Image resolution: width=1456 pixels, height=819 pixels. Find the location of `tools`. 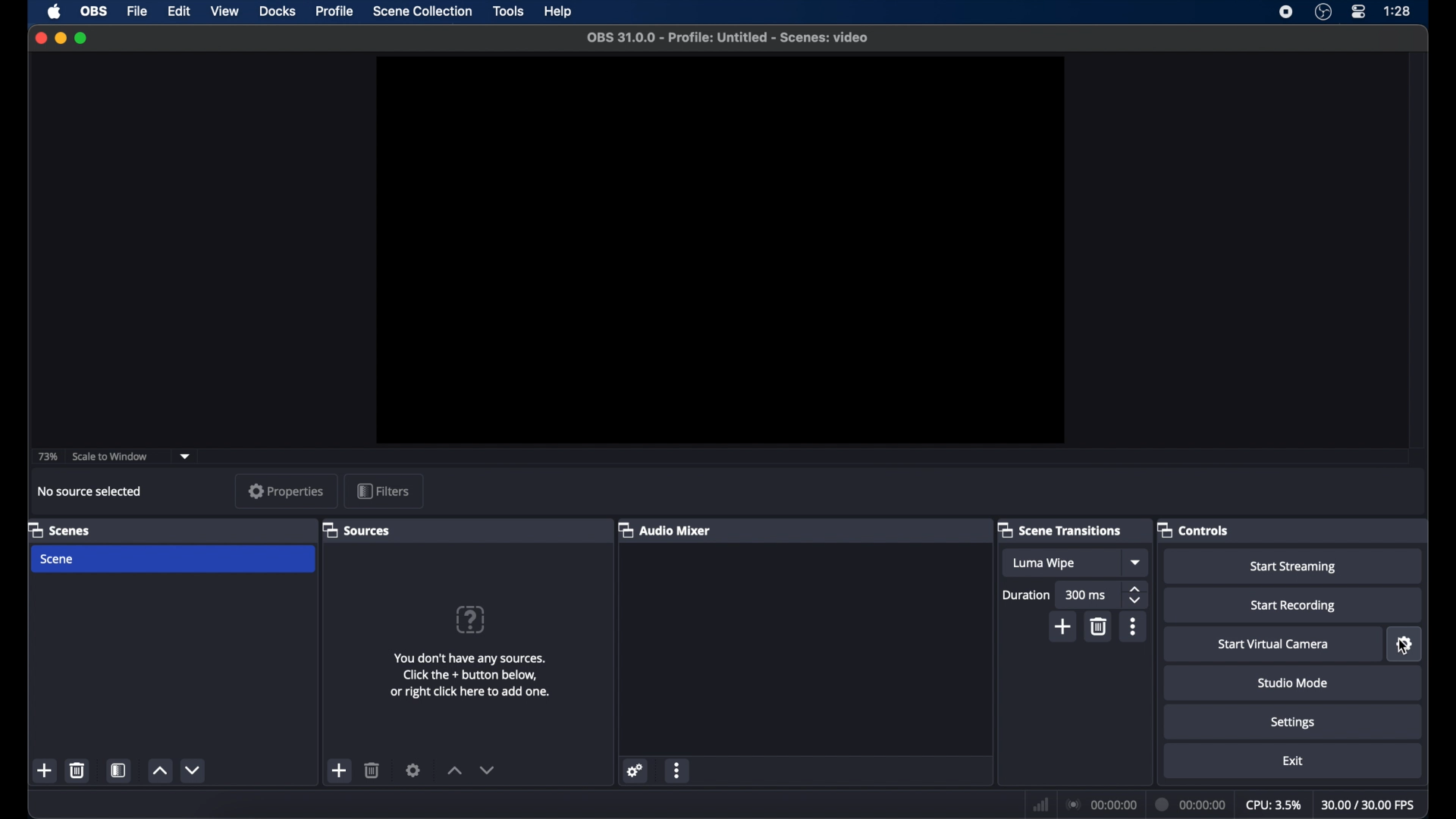

tools is located at coordinates (509, 10).